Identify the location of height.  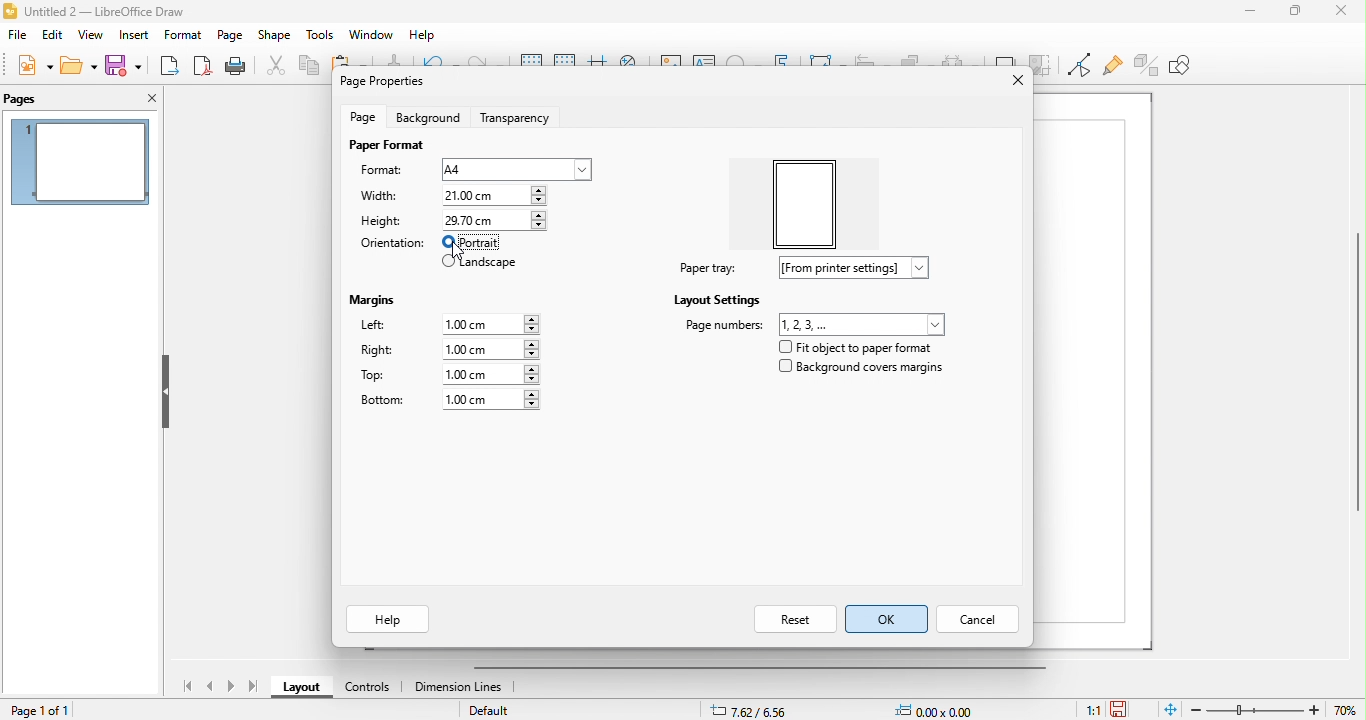
(381, 222).